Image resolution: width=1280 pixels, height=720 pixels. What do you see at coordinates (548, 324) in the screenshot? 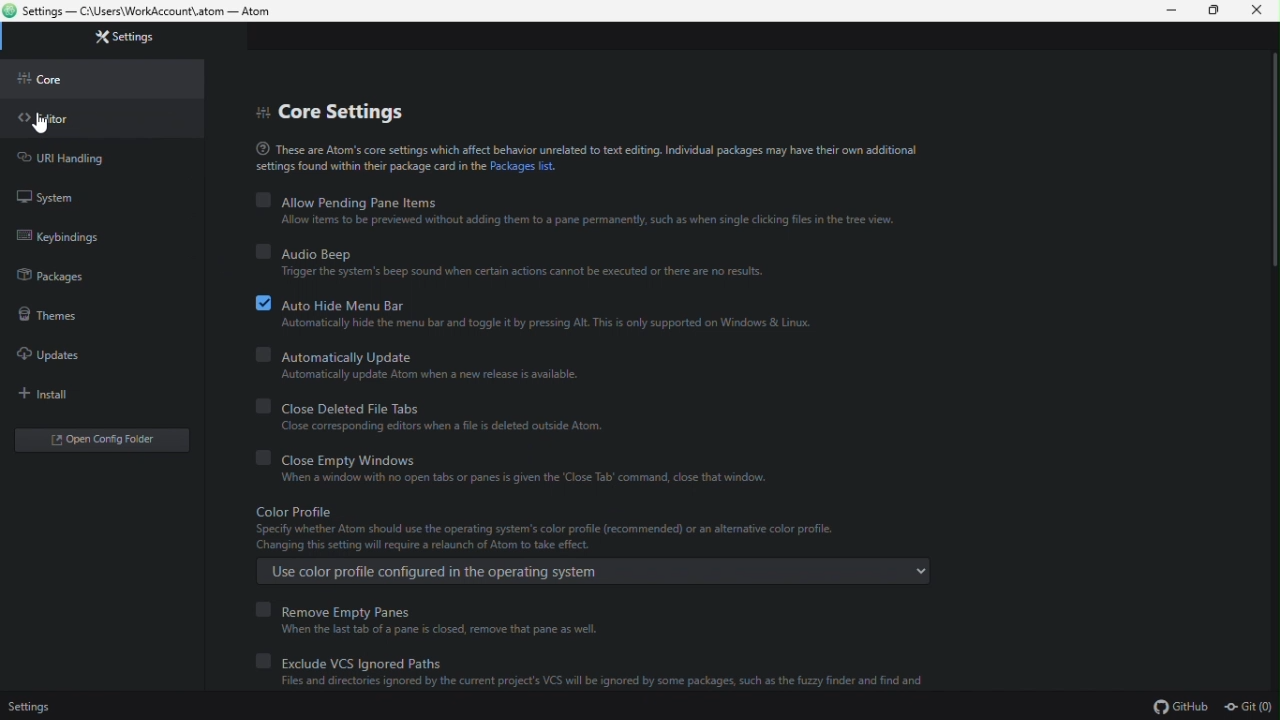
I see `Automatically hide the menu bar and toggle it by pressing Alt. This is only supported on Windows & Linux.` at bounding box center [548, 324].